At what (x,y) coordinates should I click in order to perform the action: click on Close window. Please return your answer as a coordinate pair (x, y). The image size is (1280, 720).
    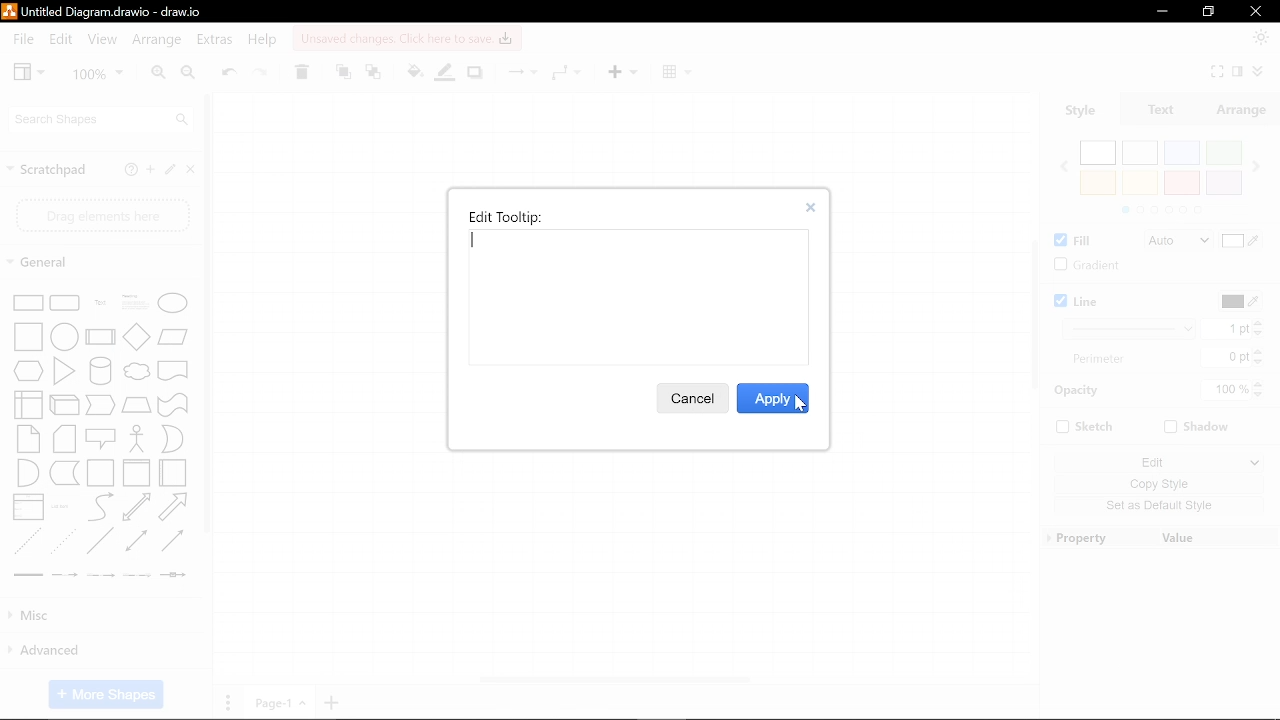
    Looking at the image, I should click on (1254, 11).